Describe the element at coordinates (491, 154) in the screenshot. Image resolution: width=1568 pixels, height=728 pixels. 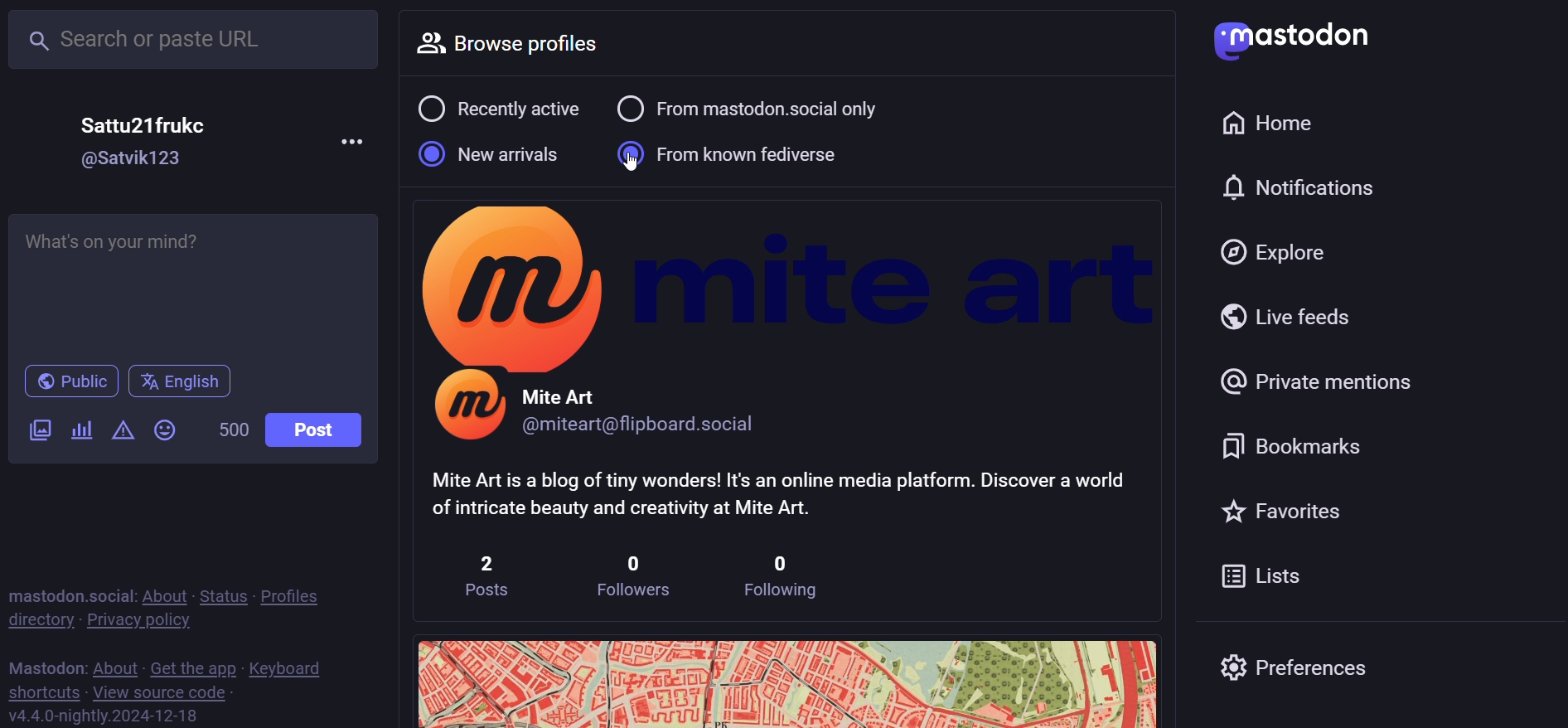
I see `selected new arrival` at that location.